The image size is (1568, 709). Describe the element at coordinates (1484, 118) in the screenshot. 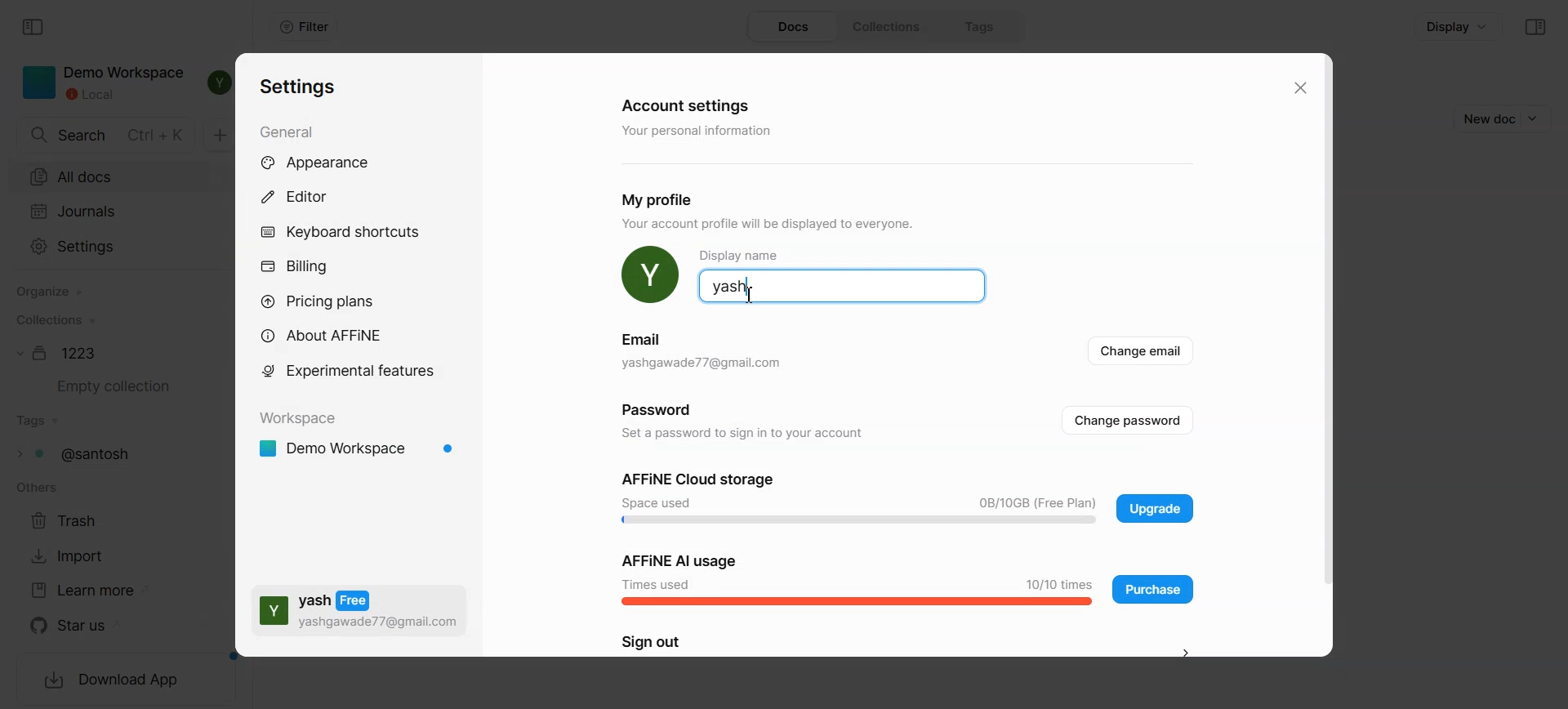

I see `New doc` at that location.